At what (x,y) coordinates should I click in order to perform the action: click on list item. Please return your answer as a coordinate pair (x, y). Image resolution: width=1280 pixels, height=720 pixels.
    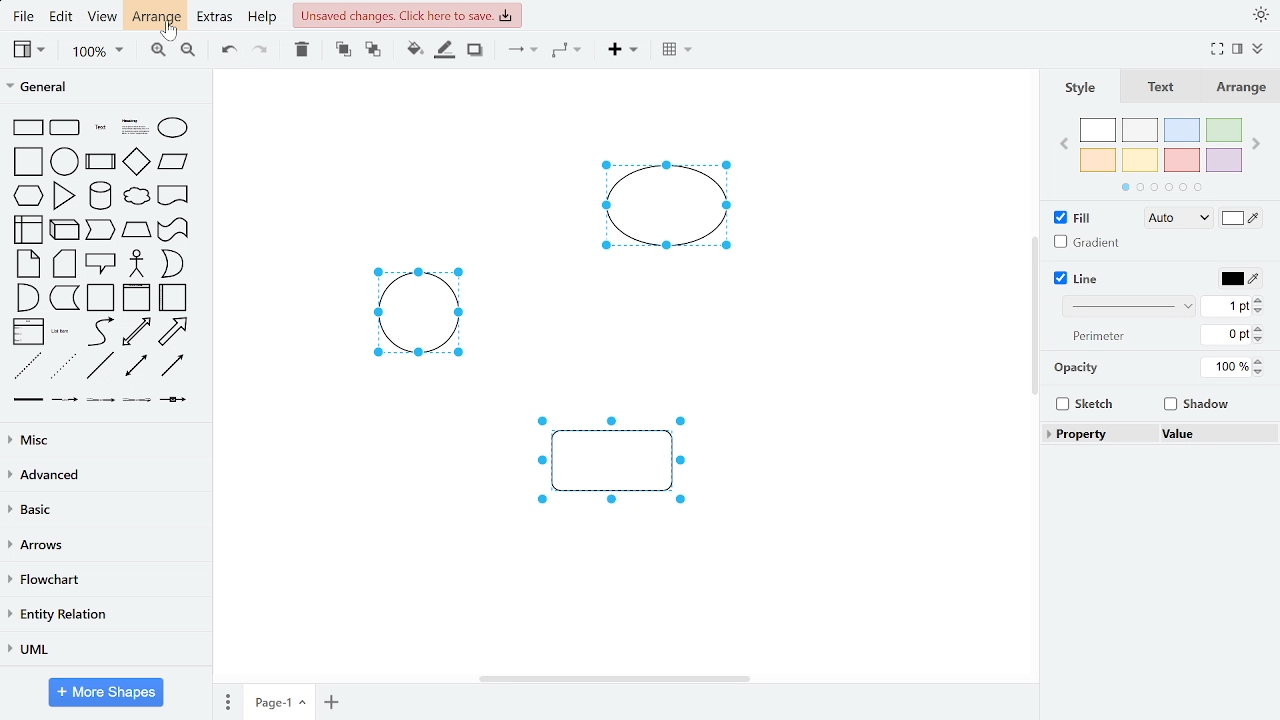
    Looking at the image, I should click on (62, 332).